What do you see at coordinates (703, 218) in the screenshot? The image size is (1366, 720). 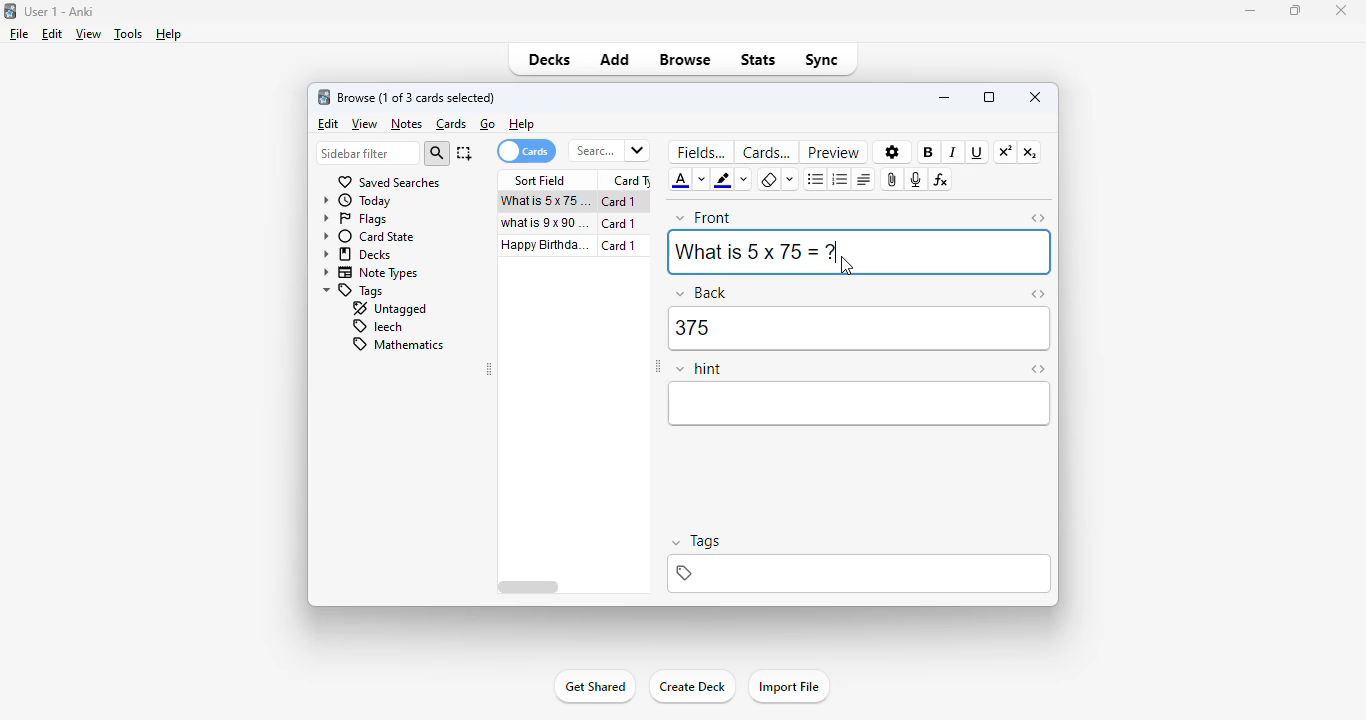 I see `front` at bounding box center [703, 218].